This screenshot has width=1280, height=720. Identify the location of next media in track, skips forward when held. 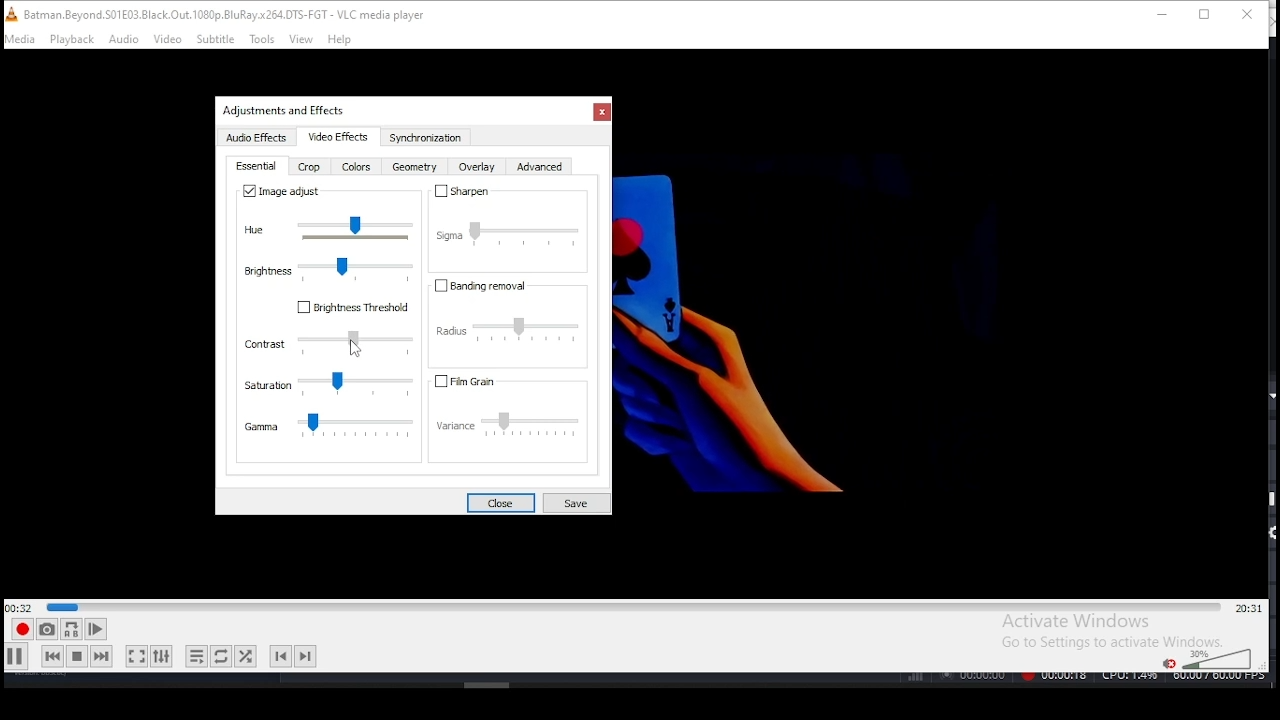
(102, 657).